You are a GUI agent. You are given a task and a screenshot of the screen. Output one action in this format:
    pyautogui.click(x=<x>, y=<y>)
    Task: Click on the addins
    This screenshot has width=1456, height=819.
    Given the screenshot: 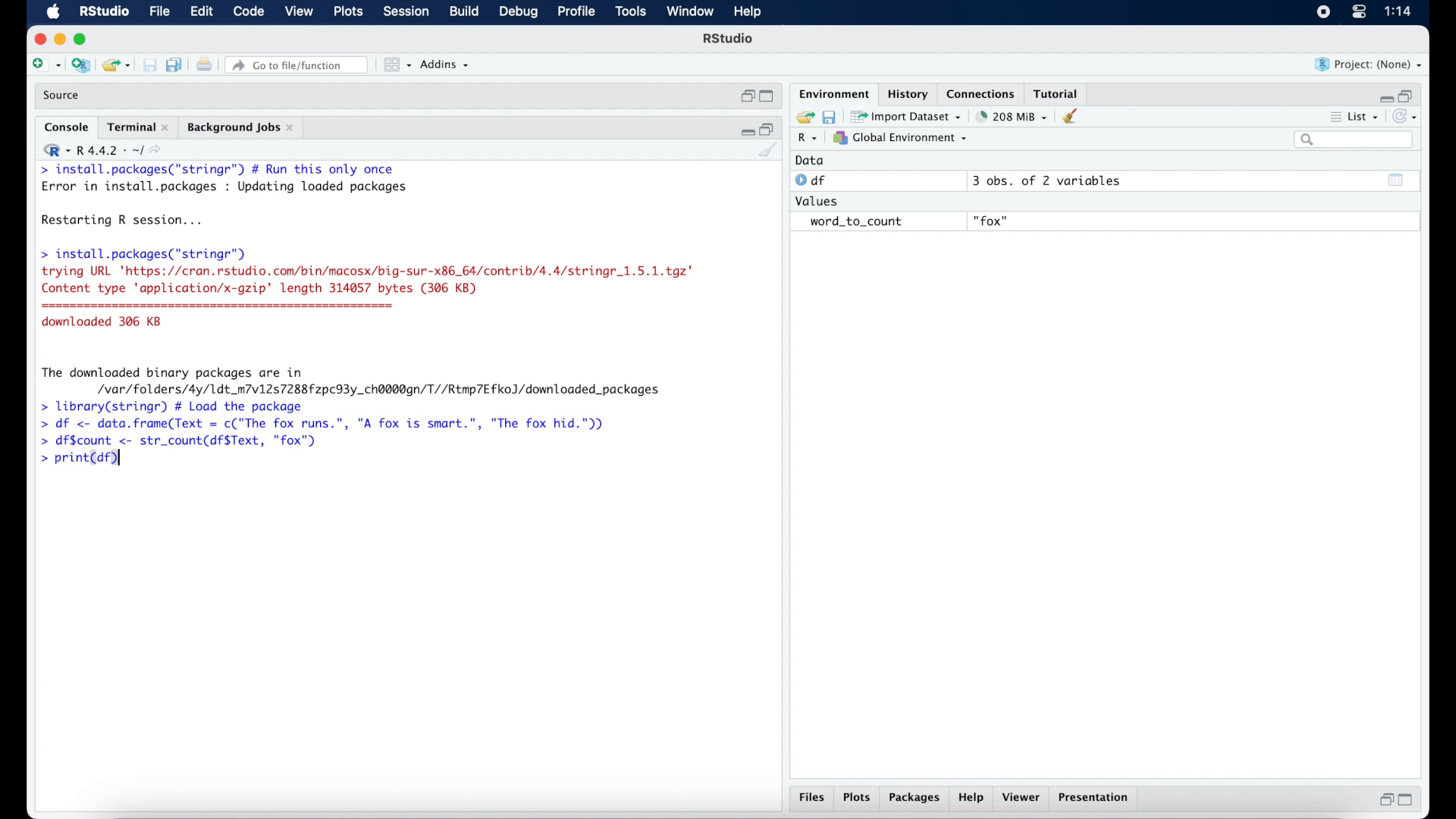 What is the action you would take?
    pyautogui.click(x=445, y=64)
    